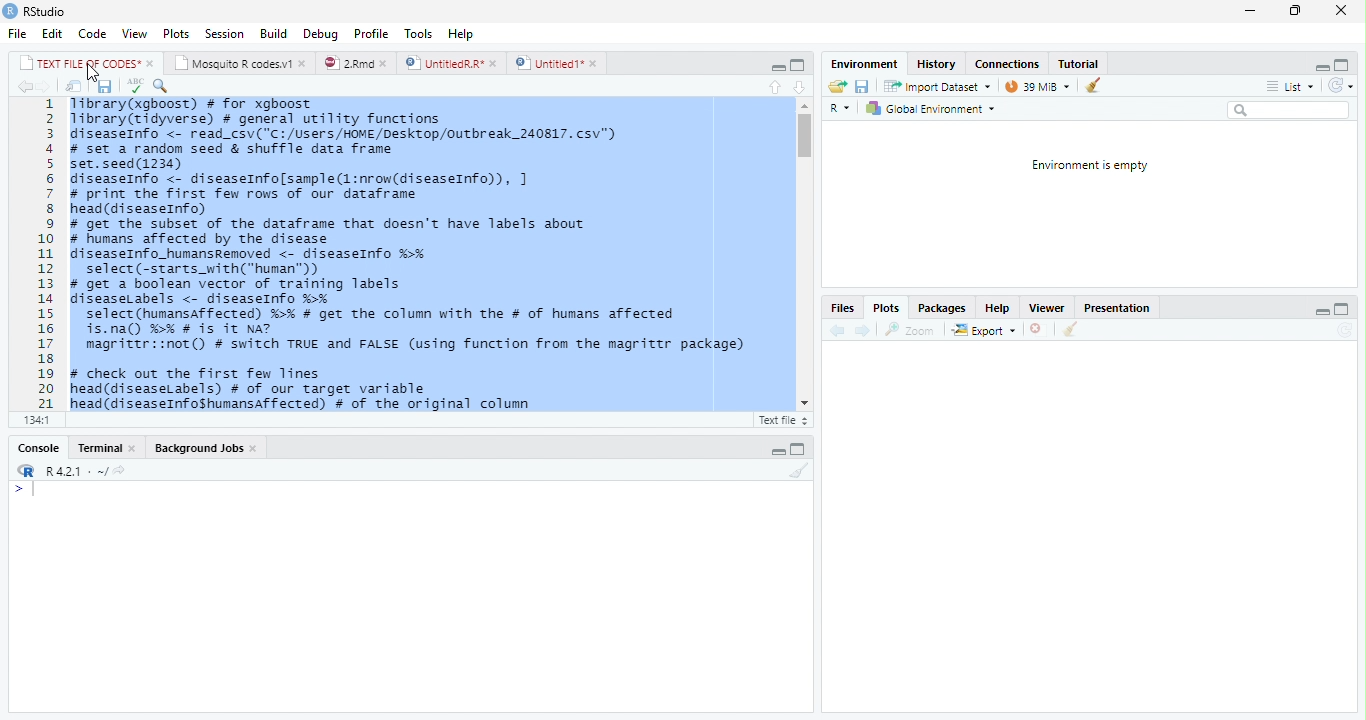 This screenshot has width=1366, height=720. What do you see at coordinates (837, 85) in the screenshot?
I see `Open folder` at bounding box center [837, 85].